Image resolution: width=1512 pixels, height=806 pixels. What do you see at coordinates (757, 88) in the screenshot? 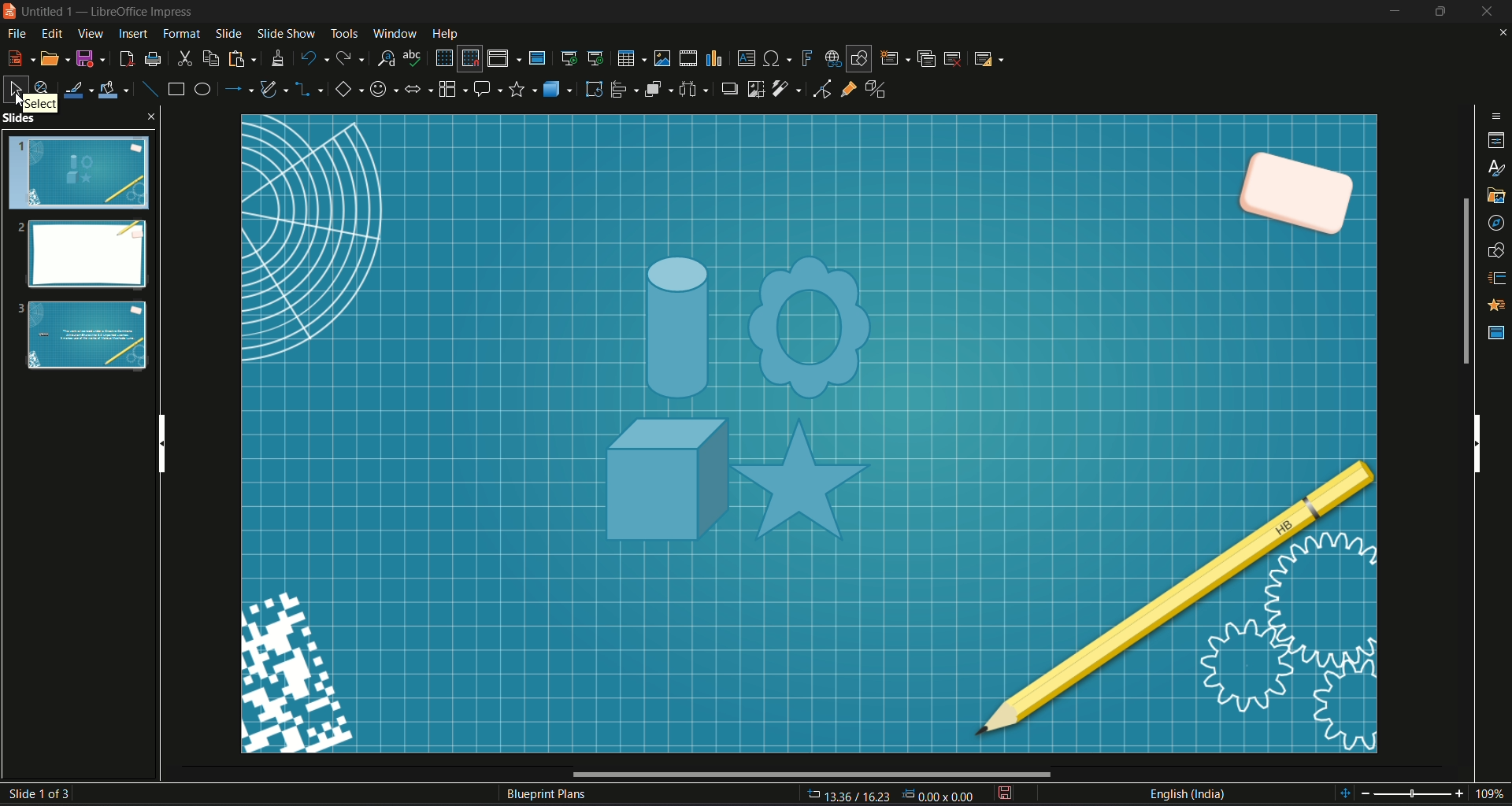
I see `crop image` at bounding box center [757, 88].